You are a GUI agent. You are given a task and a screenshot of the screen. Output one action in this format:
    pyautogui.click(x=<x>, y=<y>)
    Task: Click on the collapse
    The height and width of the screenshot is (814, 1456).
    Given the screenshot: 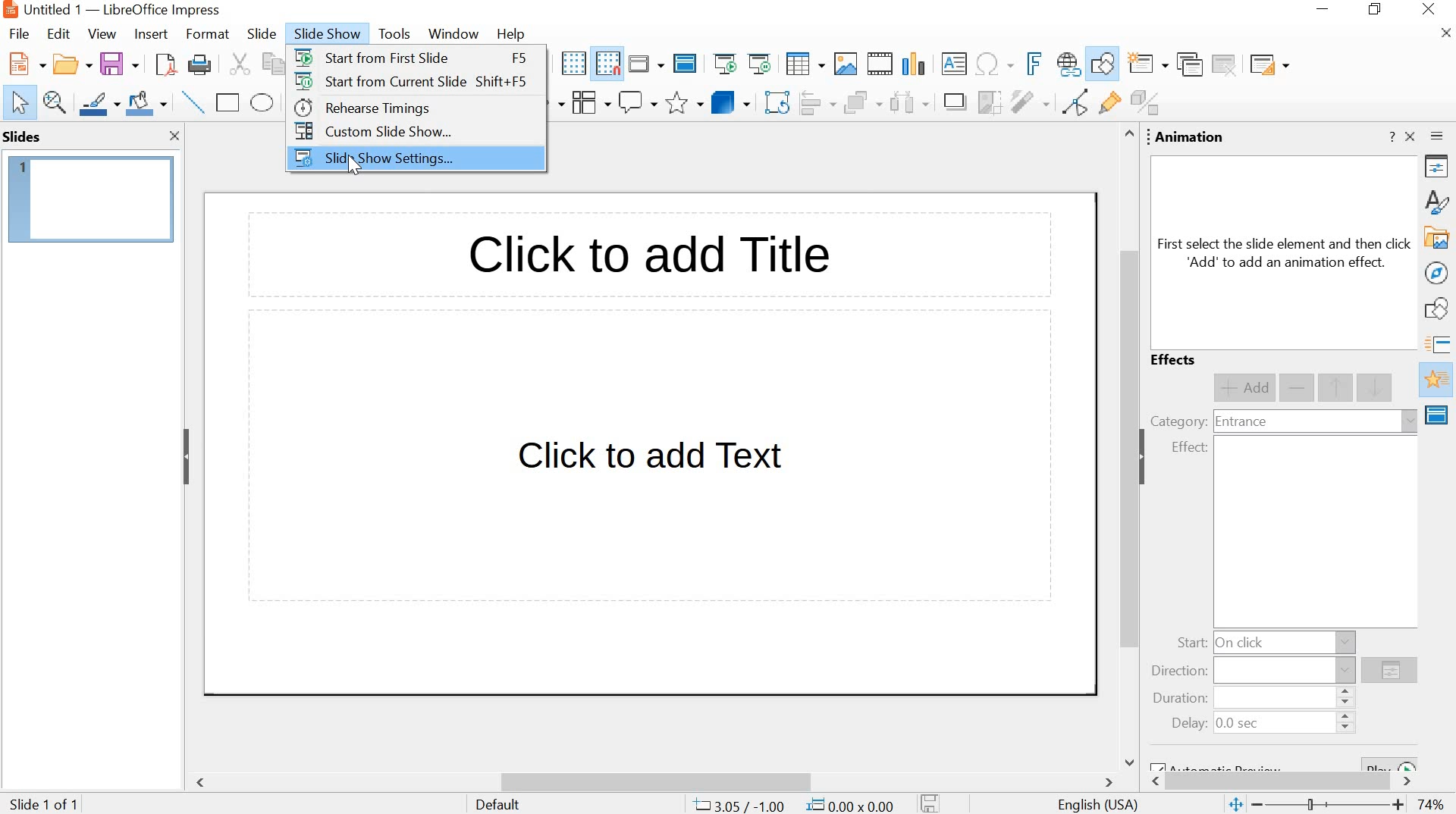 What is the action you would take?
    pyautogui.click(x=186, y=456)
    